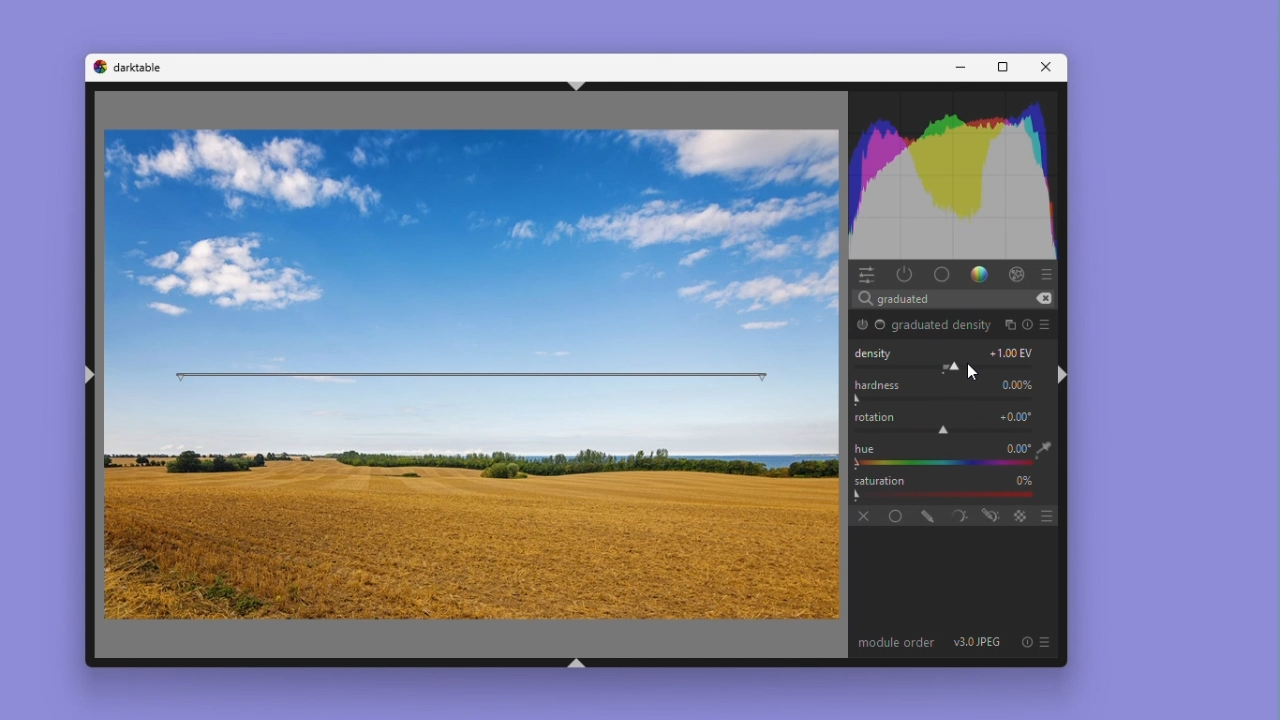 The width and height of the screenshot is (1280, 720). I want to click on shift+ctrl+r , so click(1064, 374).